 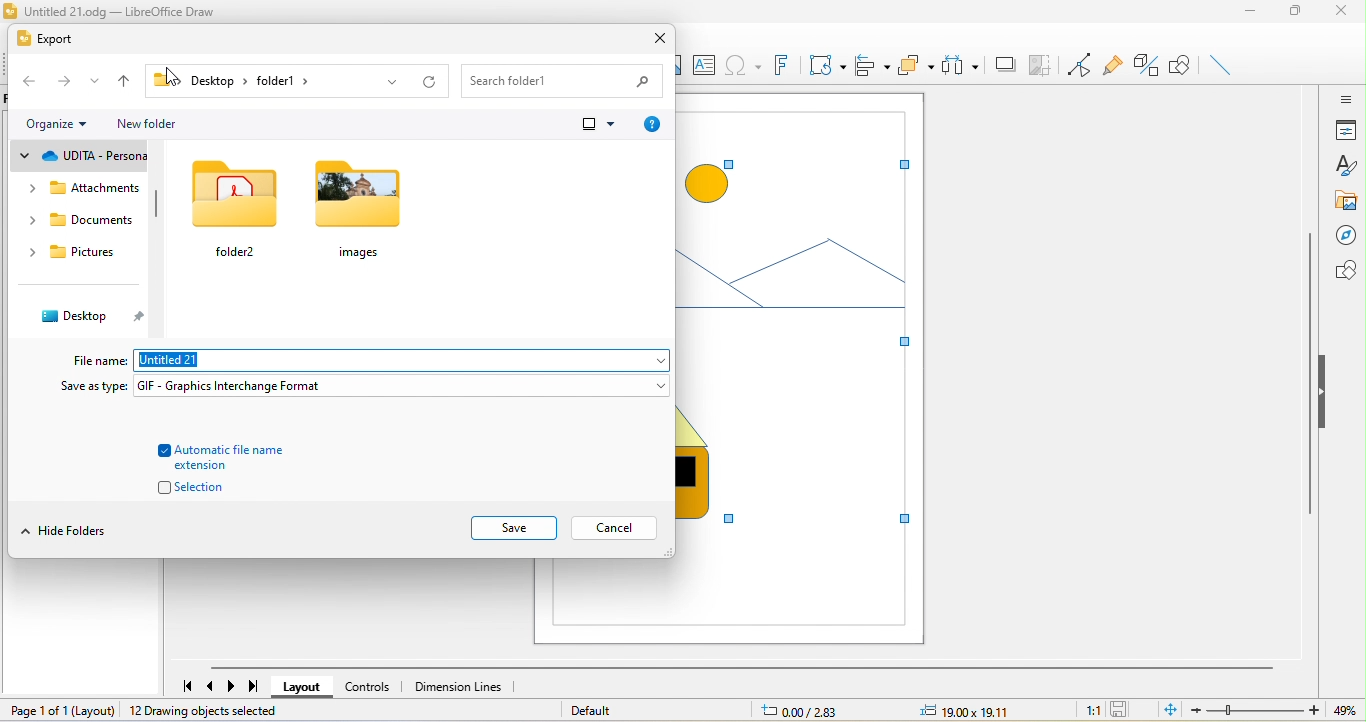 What do you see at coordinates (1247, 15) in the screenshot?
I see `minimize` at bounding box center [1247, 15].